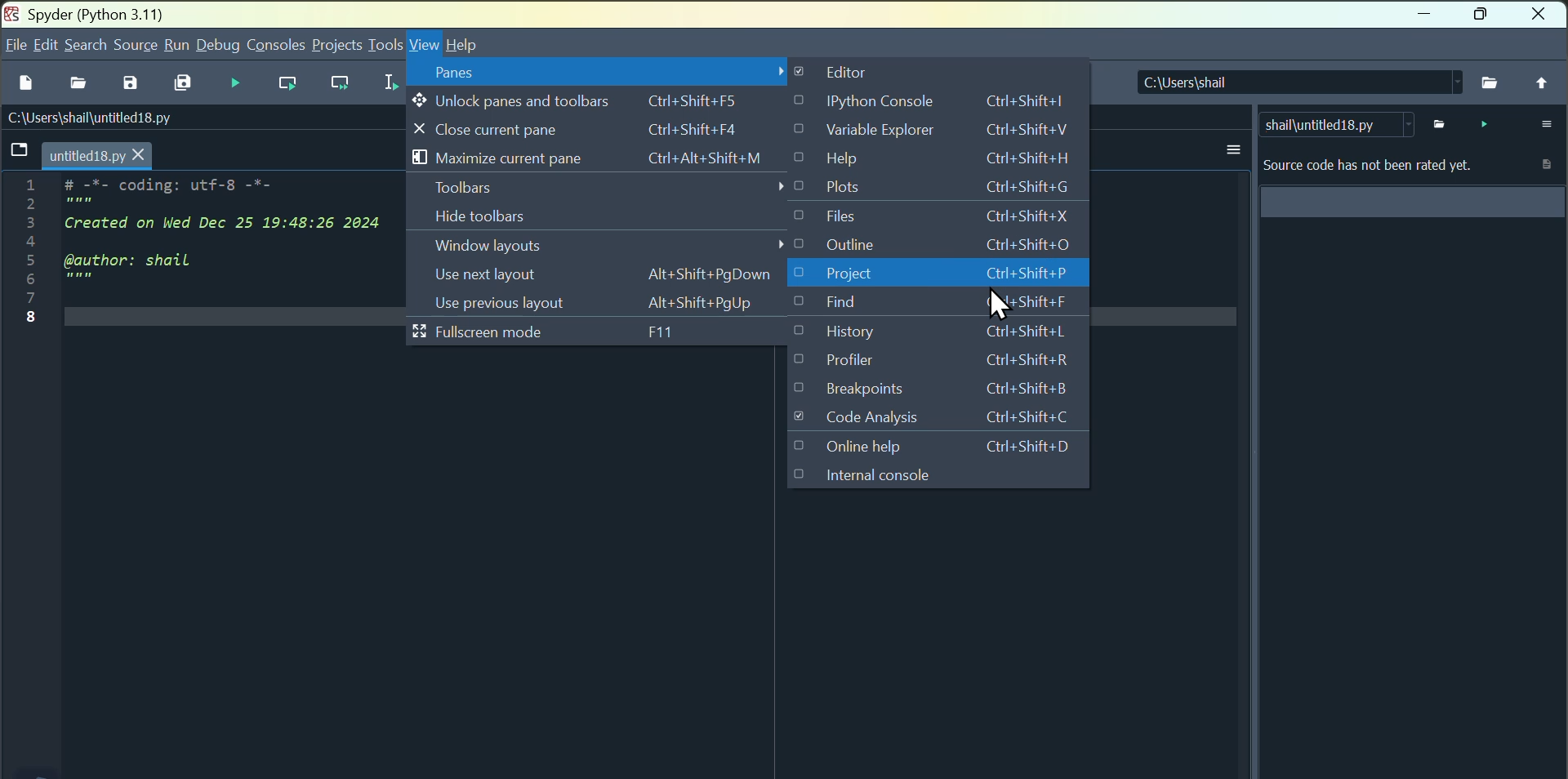  Describe the element at coordinates (931, 246) in the screenshot. I see `Outlines` at that location.